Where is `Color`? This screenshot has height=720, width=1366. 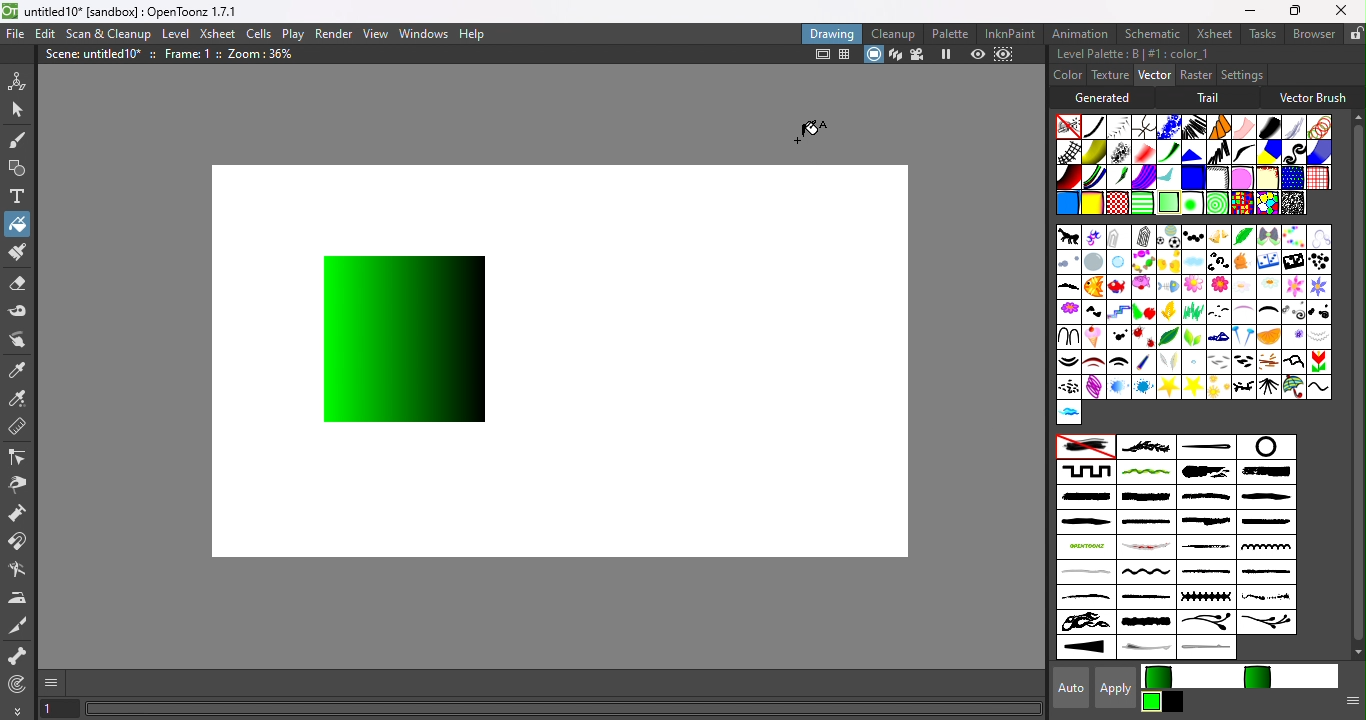 Color is located at coordinates (1068, 74).